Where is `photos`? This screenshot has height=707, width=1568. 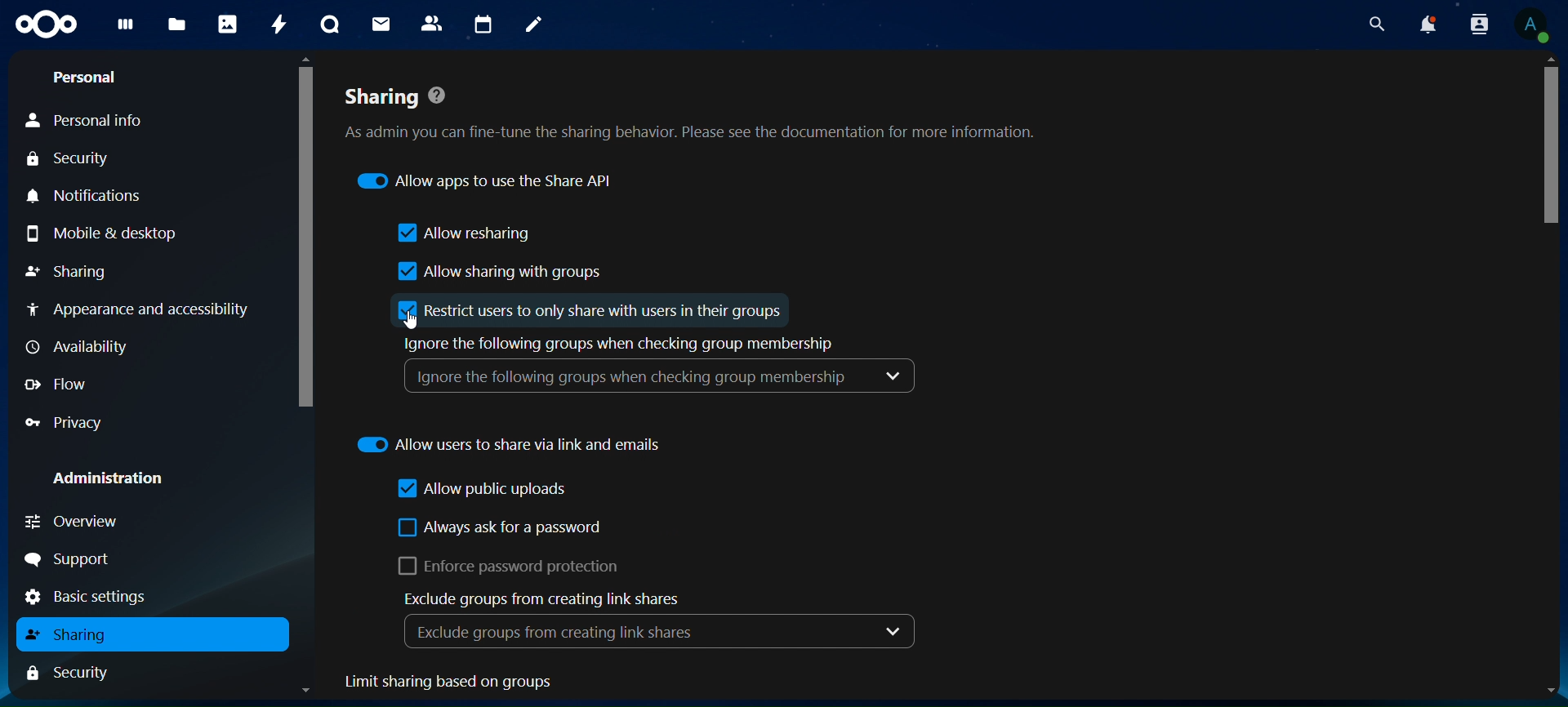
photos is located at coordinates (227, 24).